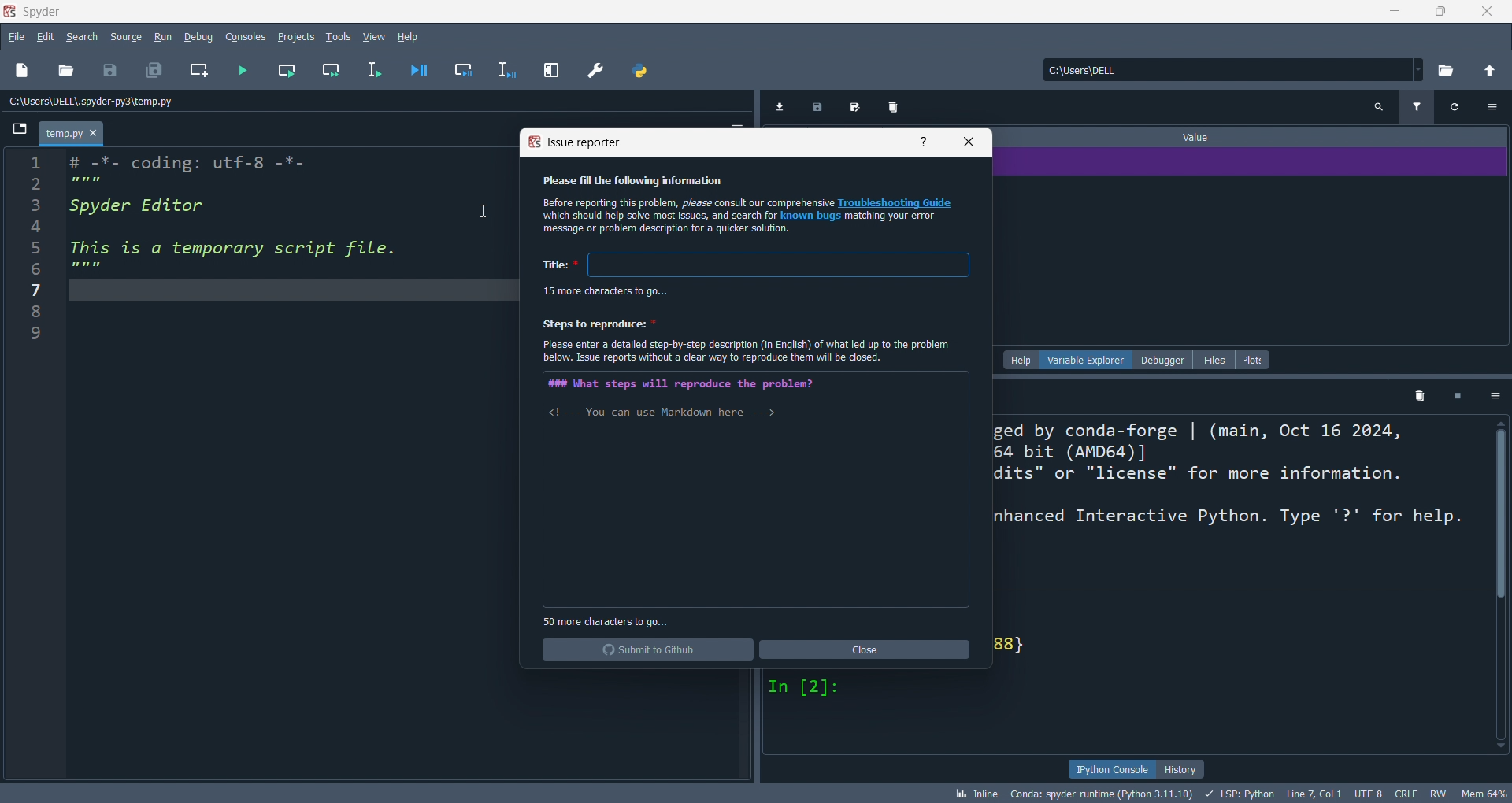  I want to click on view, so click(376, 38).